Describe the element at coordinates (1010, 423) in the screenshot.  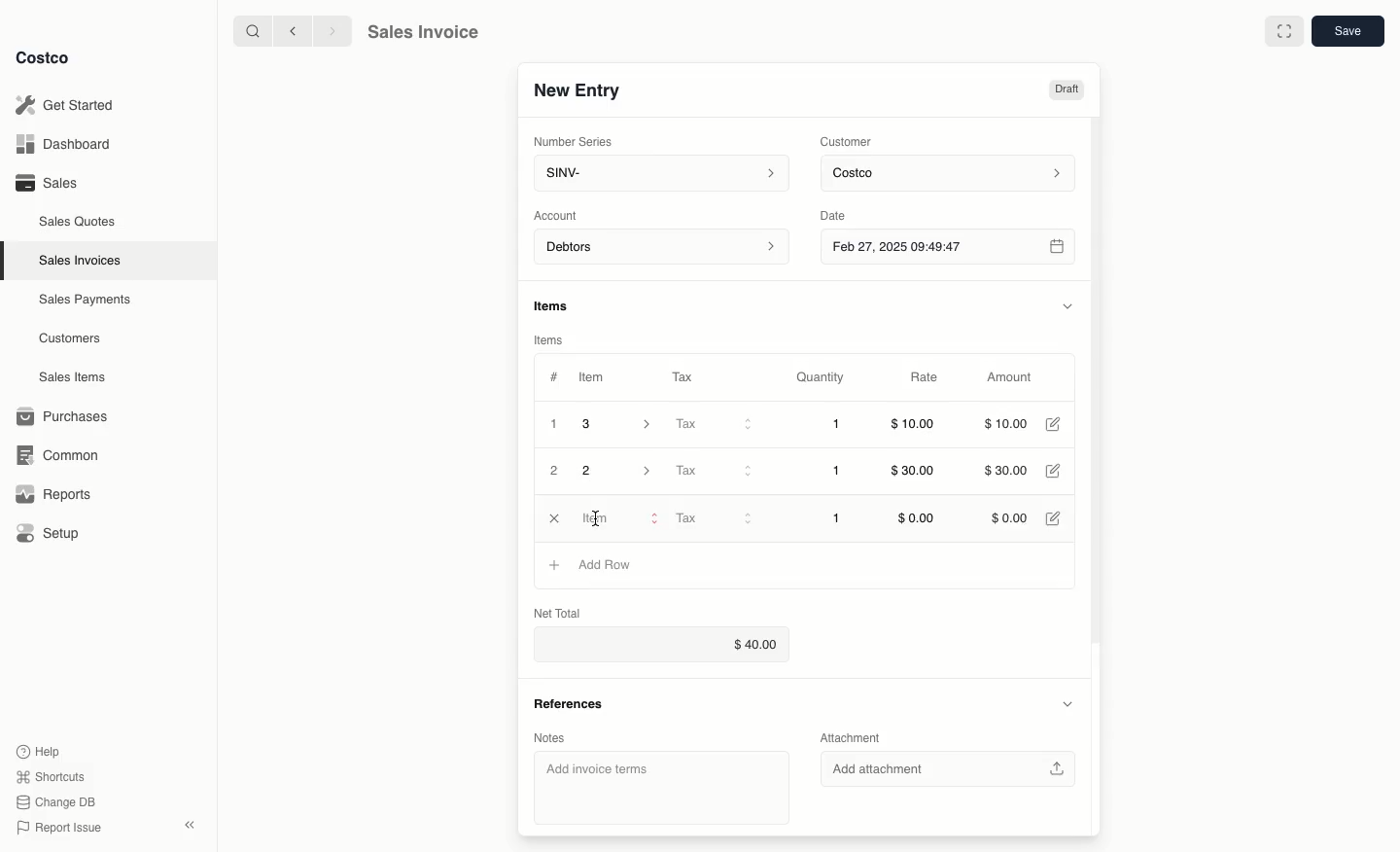
I see `$10.00` at that location.